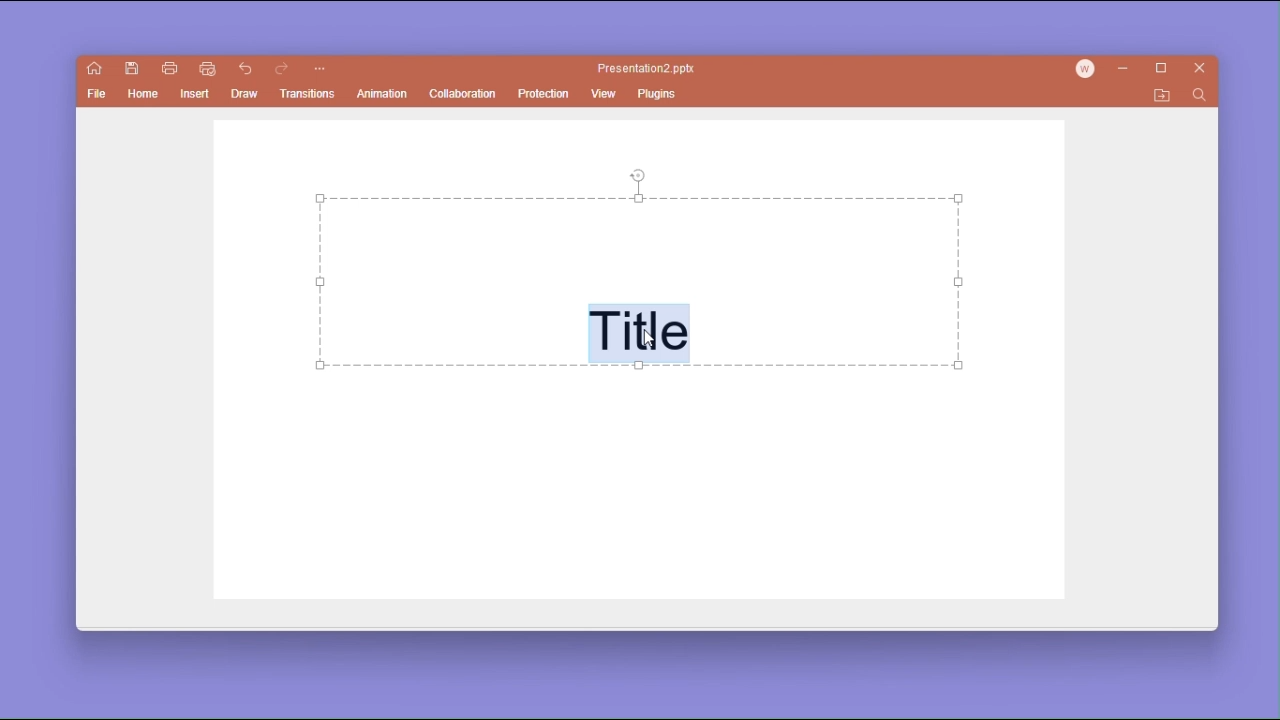 The image size is (1280, 720). I want to click on rotate tool, so click(639, 174).